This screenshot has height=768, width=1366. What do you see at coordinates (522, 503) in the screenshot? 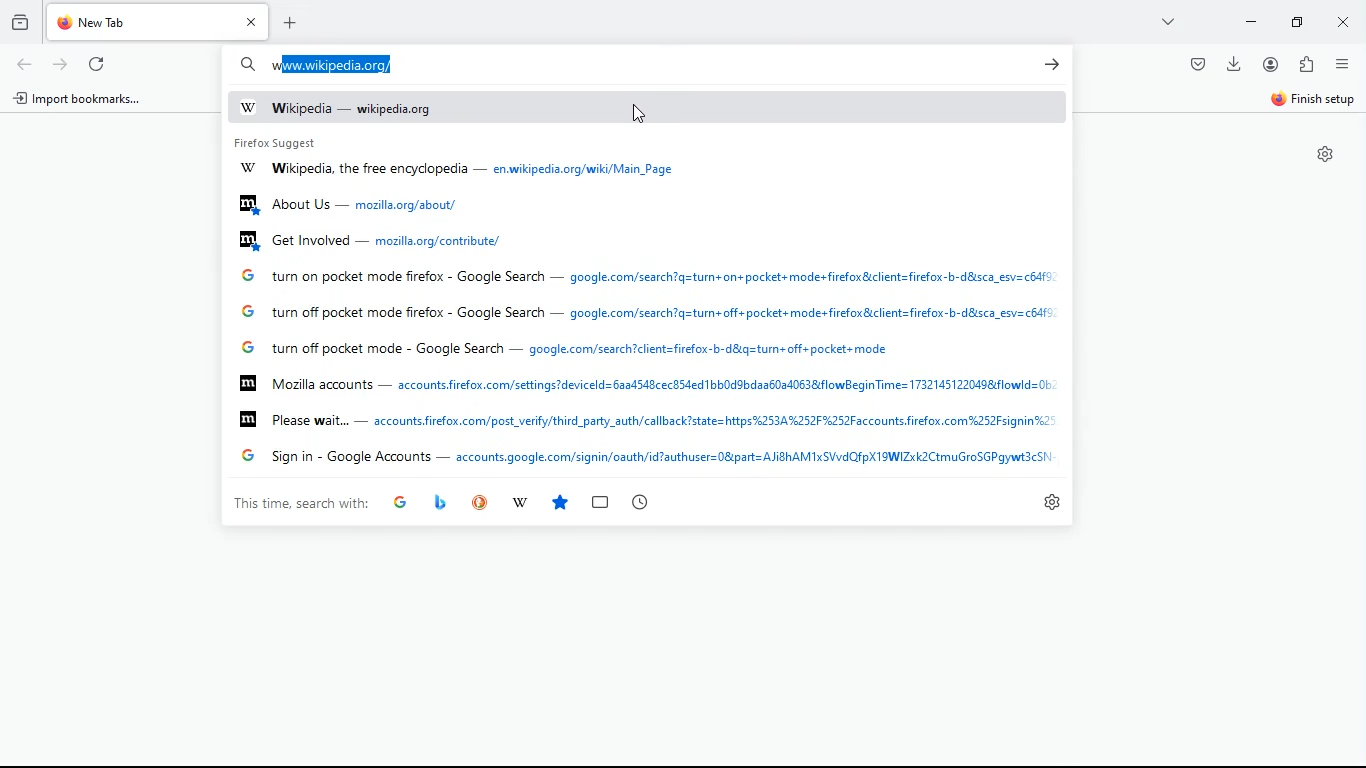
I see `suggestions` at bounding box center [522, 503].